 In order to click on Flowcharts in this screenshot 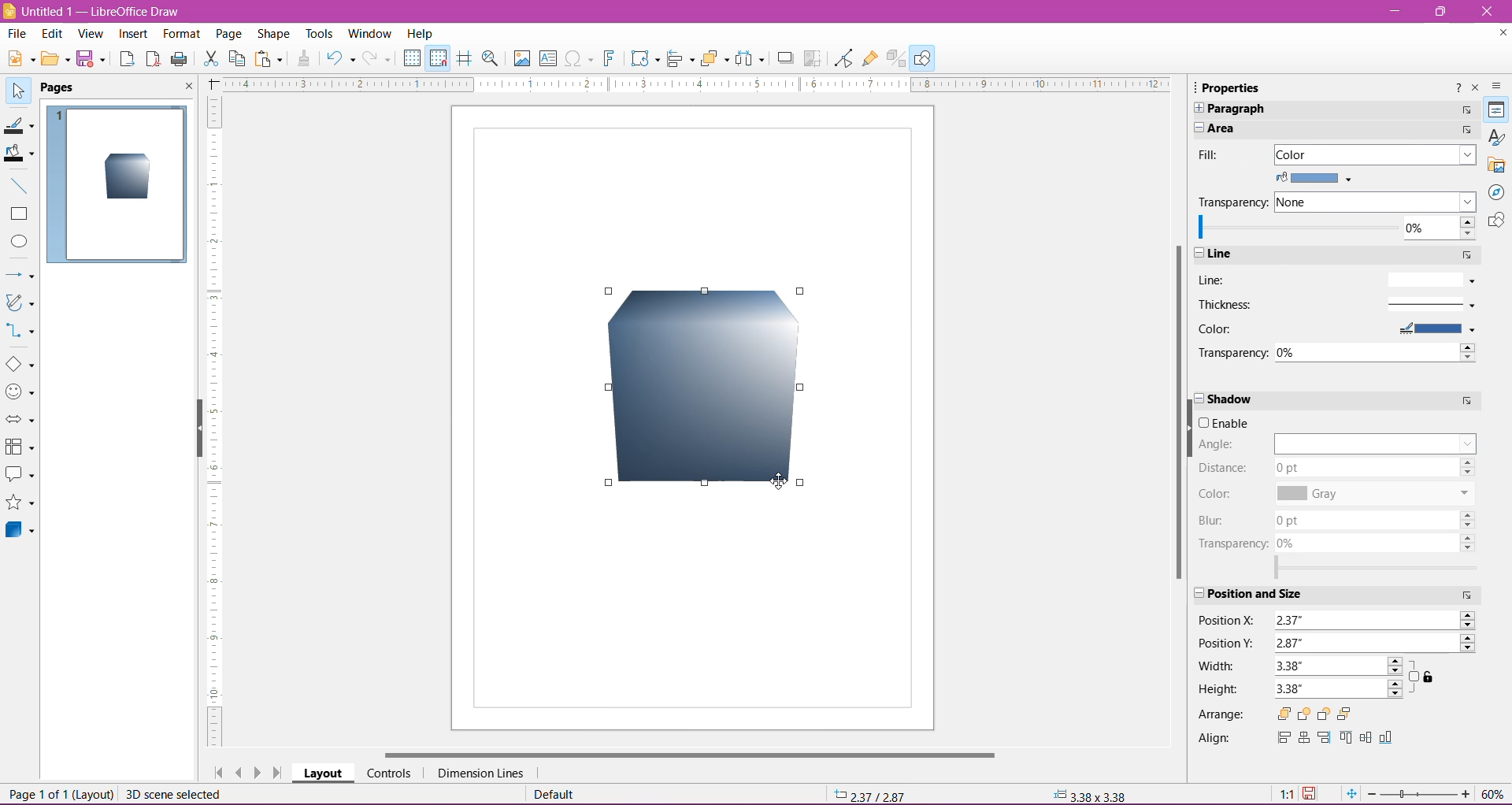, I will do `click(20, 447)`.